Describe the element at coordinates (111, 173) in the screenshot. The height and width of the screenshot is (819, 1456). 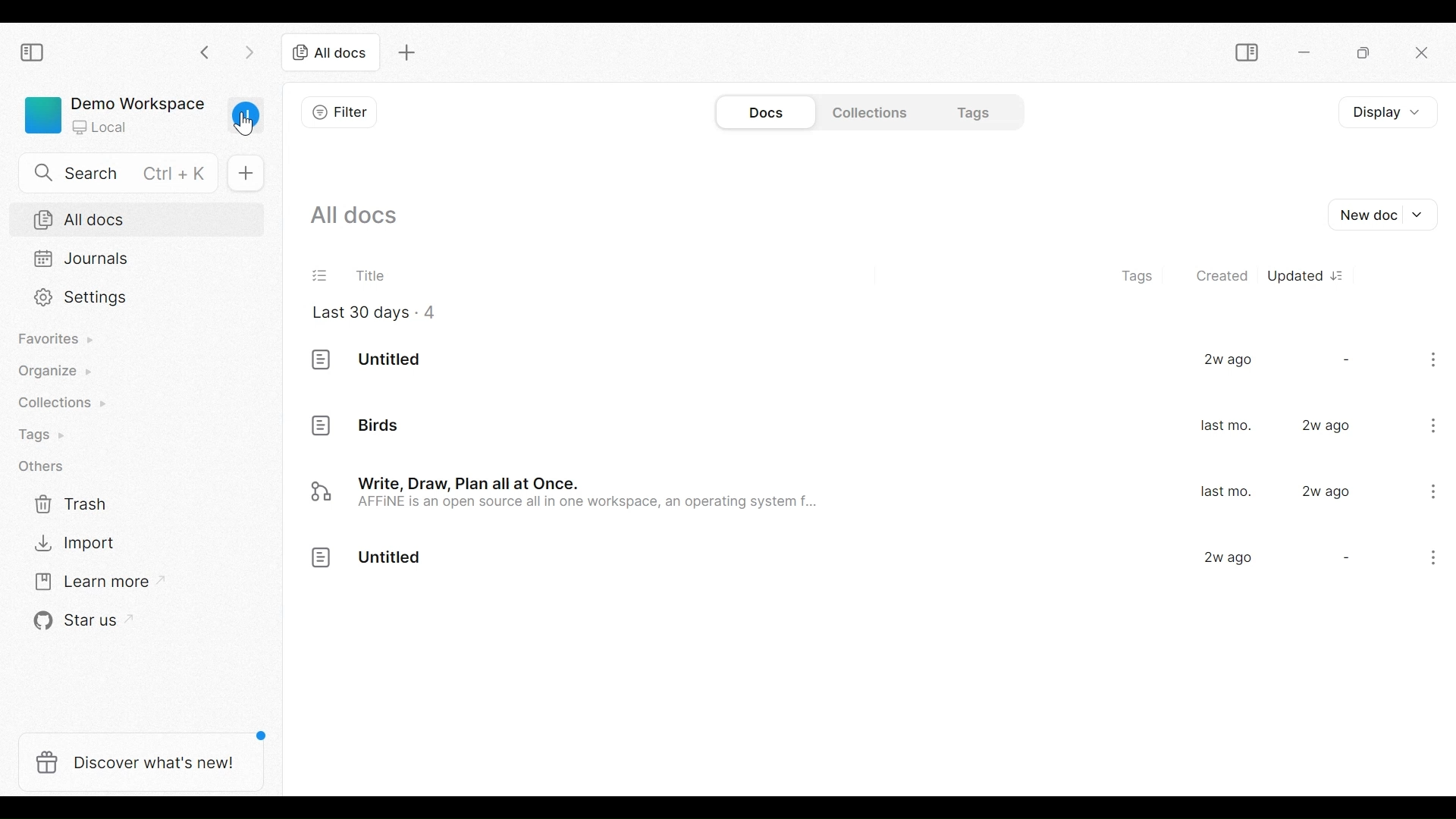
I see `Search` at that location.